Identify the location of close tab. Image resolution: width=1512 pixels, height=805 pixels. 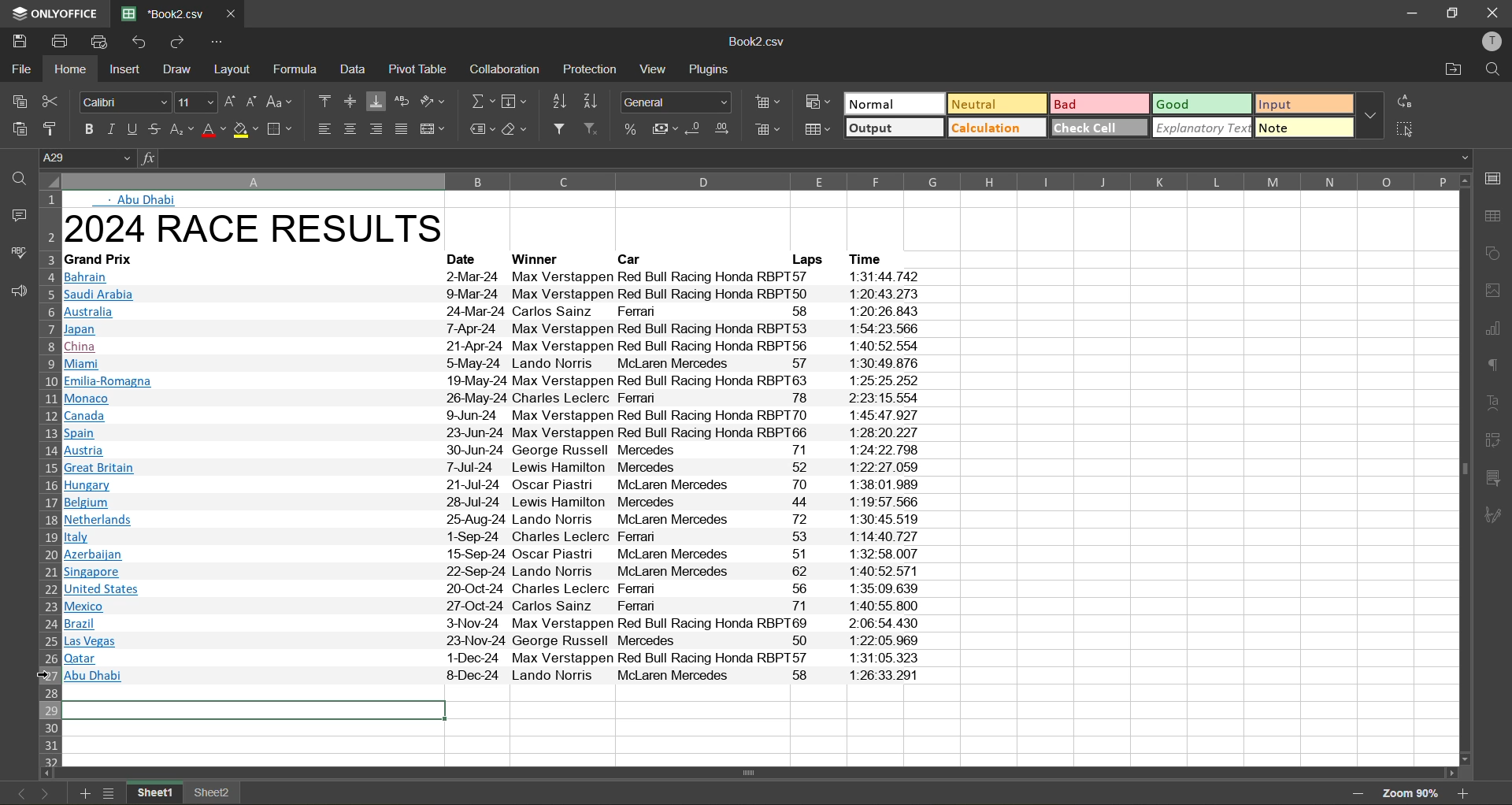
(228, 12).